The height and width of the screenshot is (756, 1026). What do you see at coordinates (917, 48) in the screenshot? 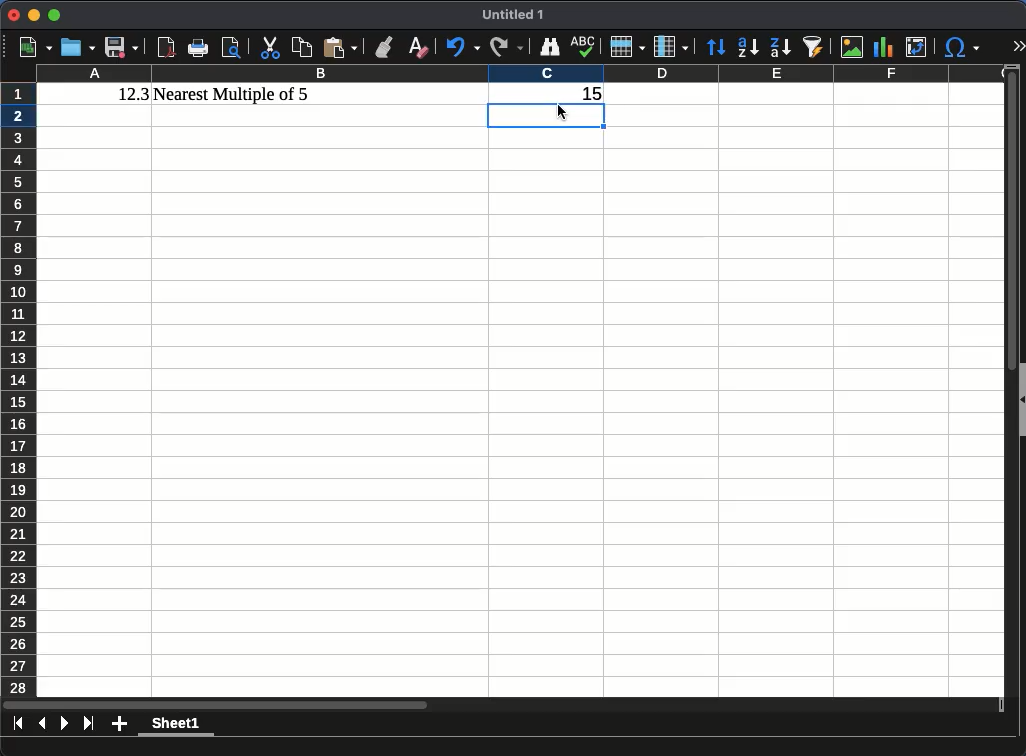
I see `pivot table` at bounding box center [917, 48].